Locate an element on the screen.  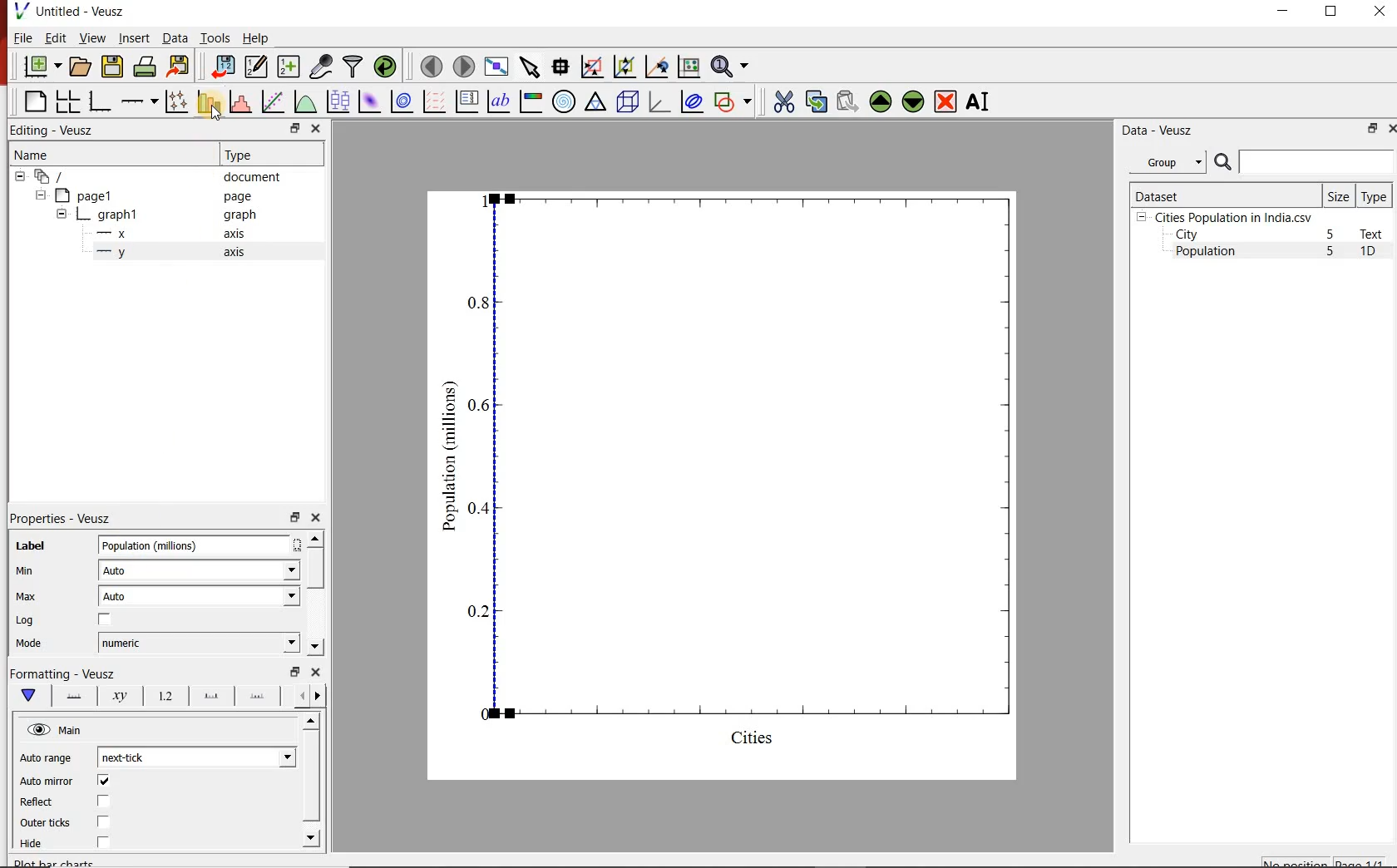
check/uncheck is located at coordinates (103, 823).